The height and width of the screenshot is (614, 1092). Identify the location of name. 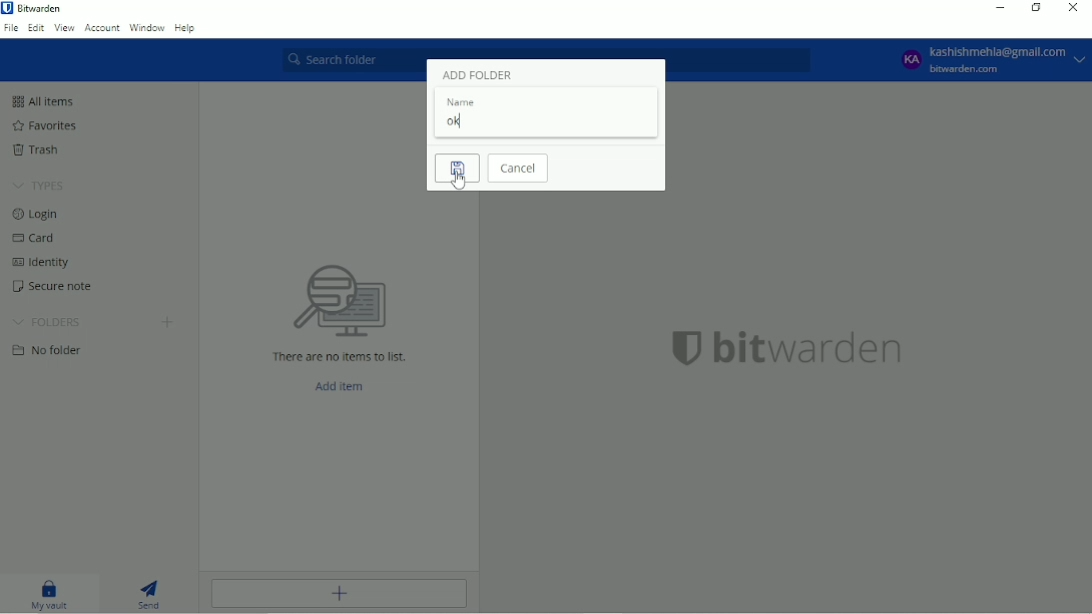
(461, 102).